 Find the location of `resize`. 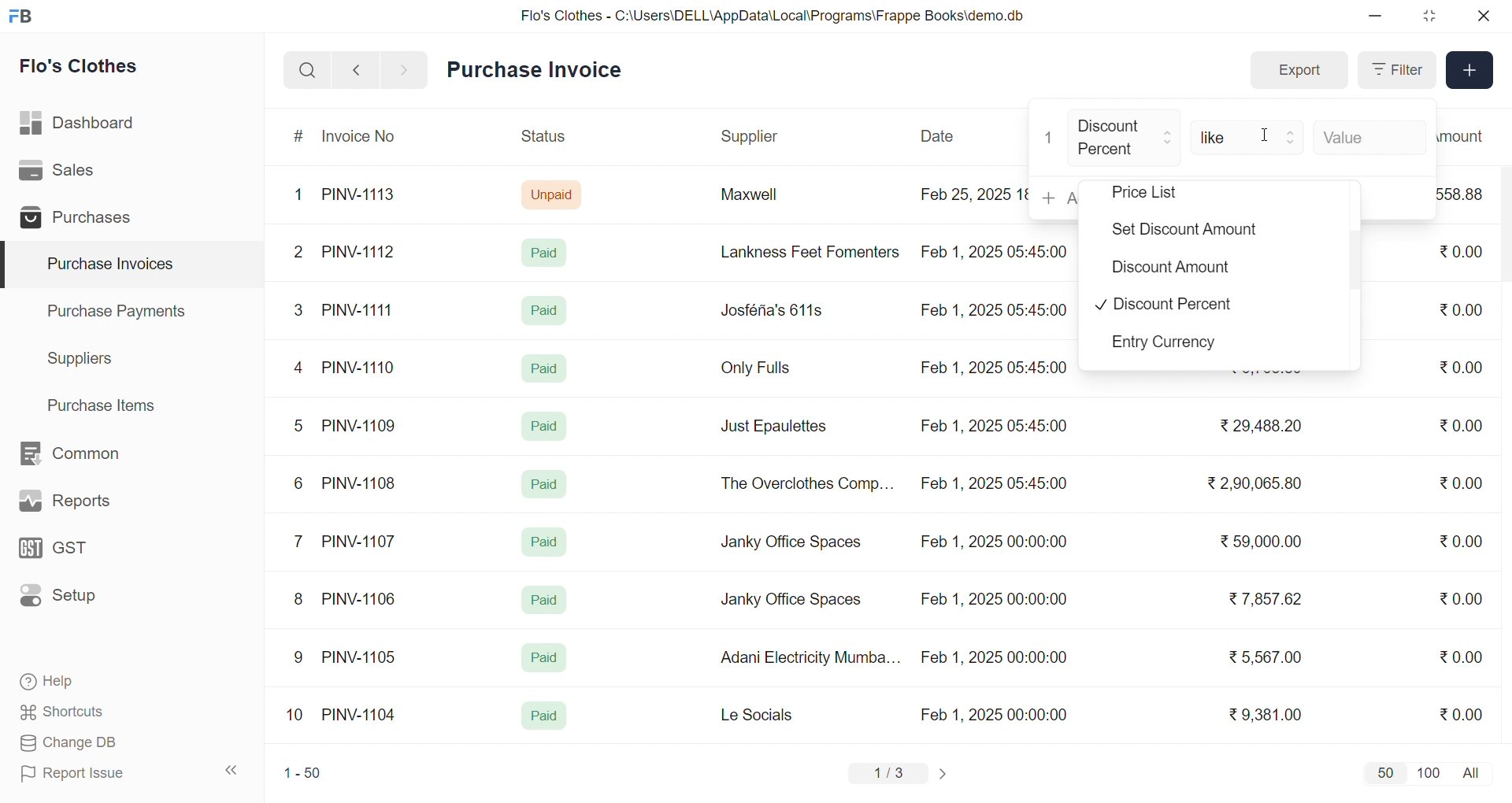

resize is located at coordinates (1429, 16).